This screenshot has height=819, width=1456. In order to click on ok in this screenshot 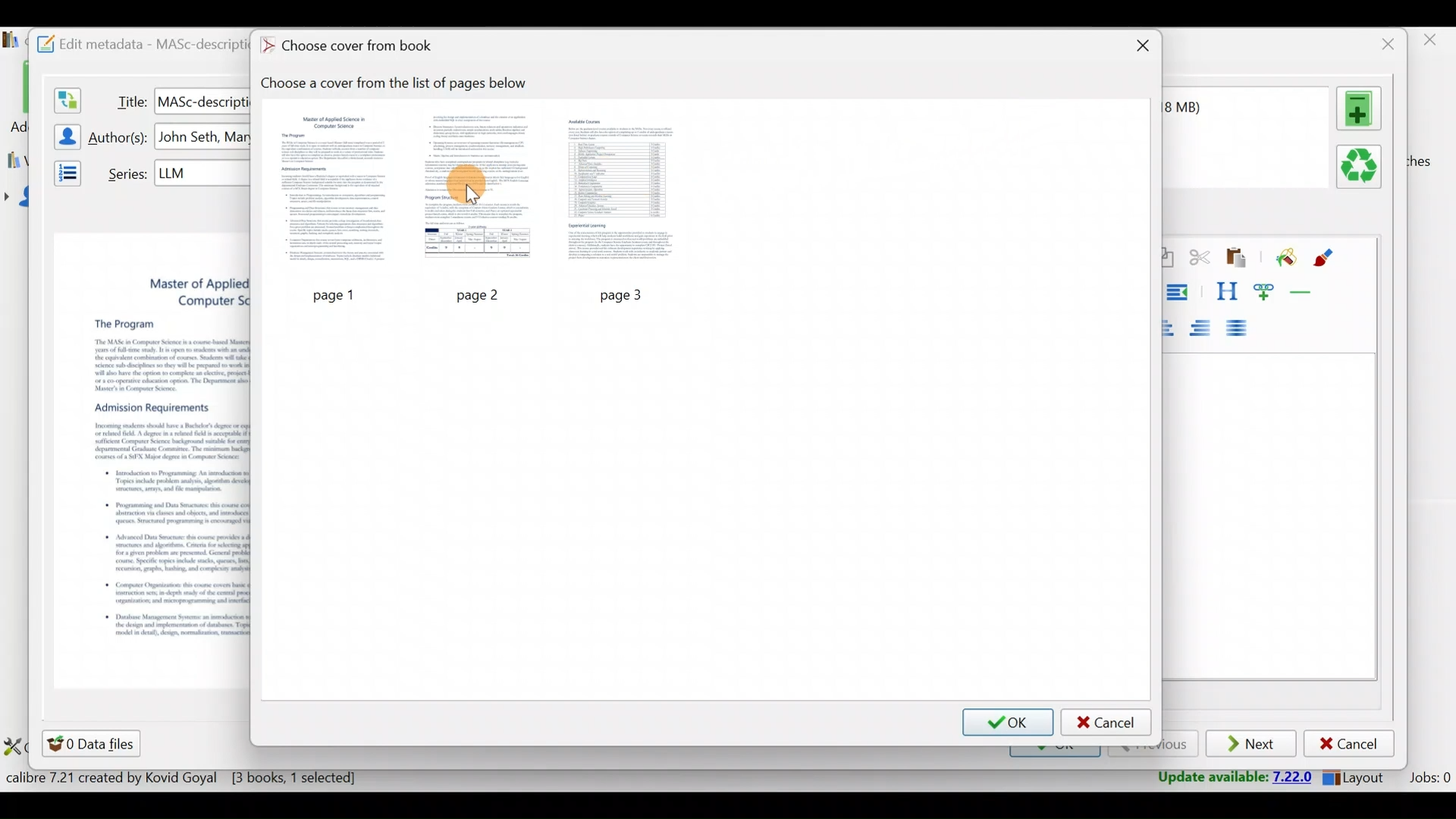, I will do `click(1009, 721)`.